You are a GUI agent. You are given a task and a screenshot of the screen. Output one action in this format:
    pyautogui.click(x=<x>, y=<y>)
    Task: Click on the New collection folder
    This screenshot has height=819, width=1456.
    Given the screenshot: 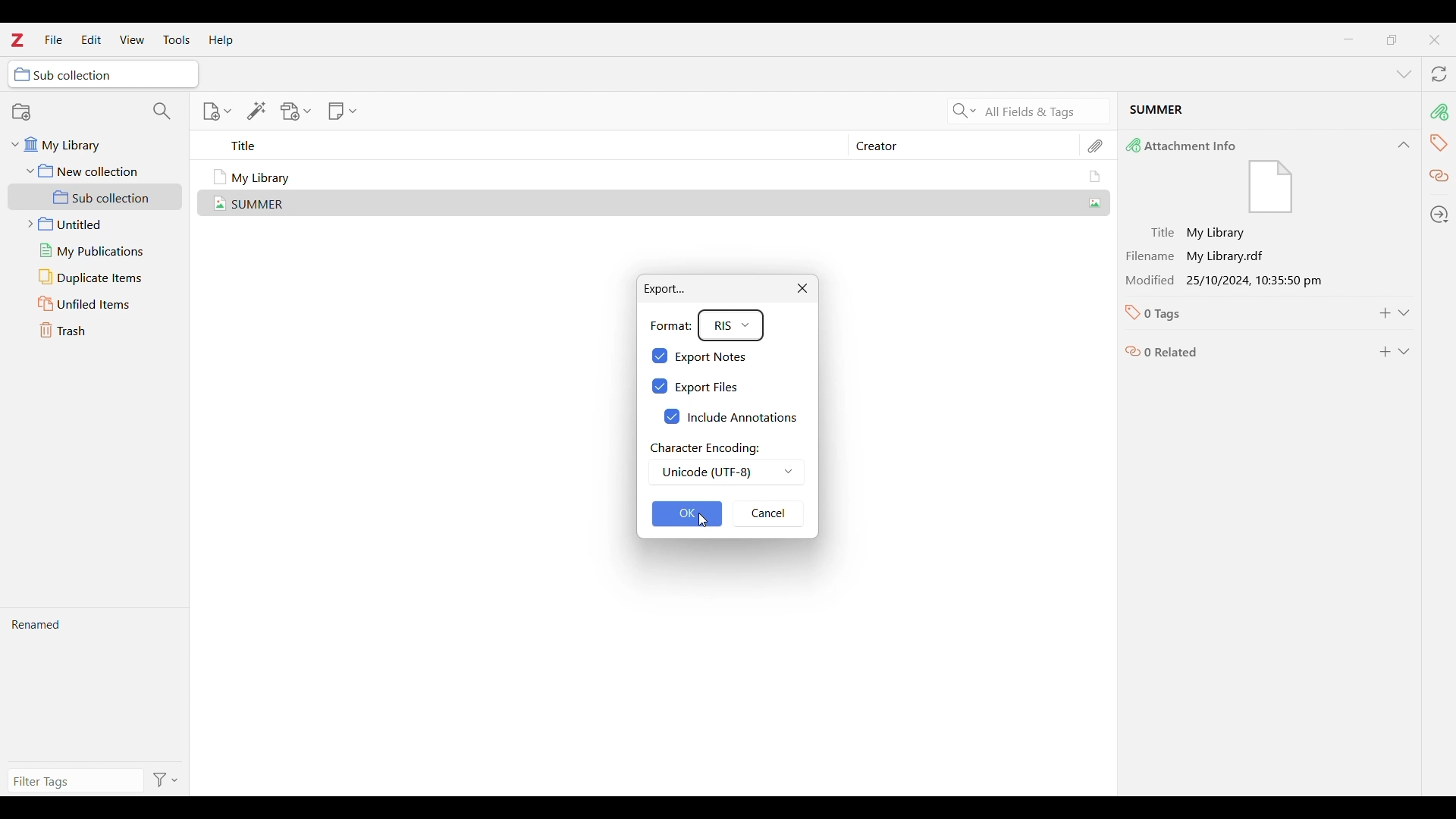 What is the action you would take?
    pyautogui.click(x=90, y=170)
    